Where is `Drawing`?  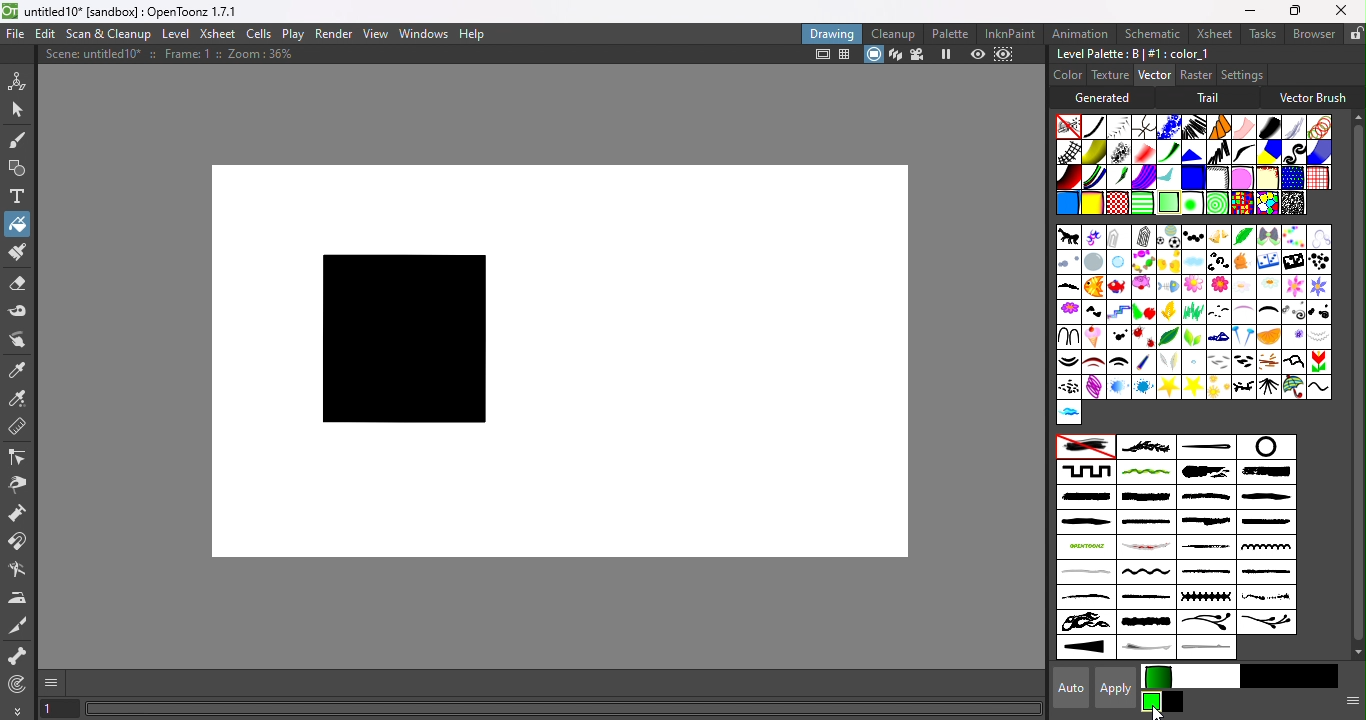 Drawing is located at coordinates (832, 33).